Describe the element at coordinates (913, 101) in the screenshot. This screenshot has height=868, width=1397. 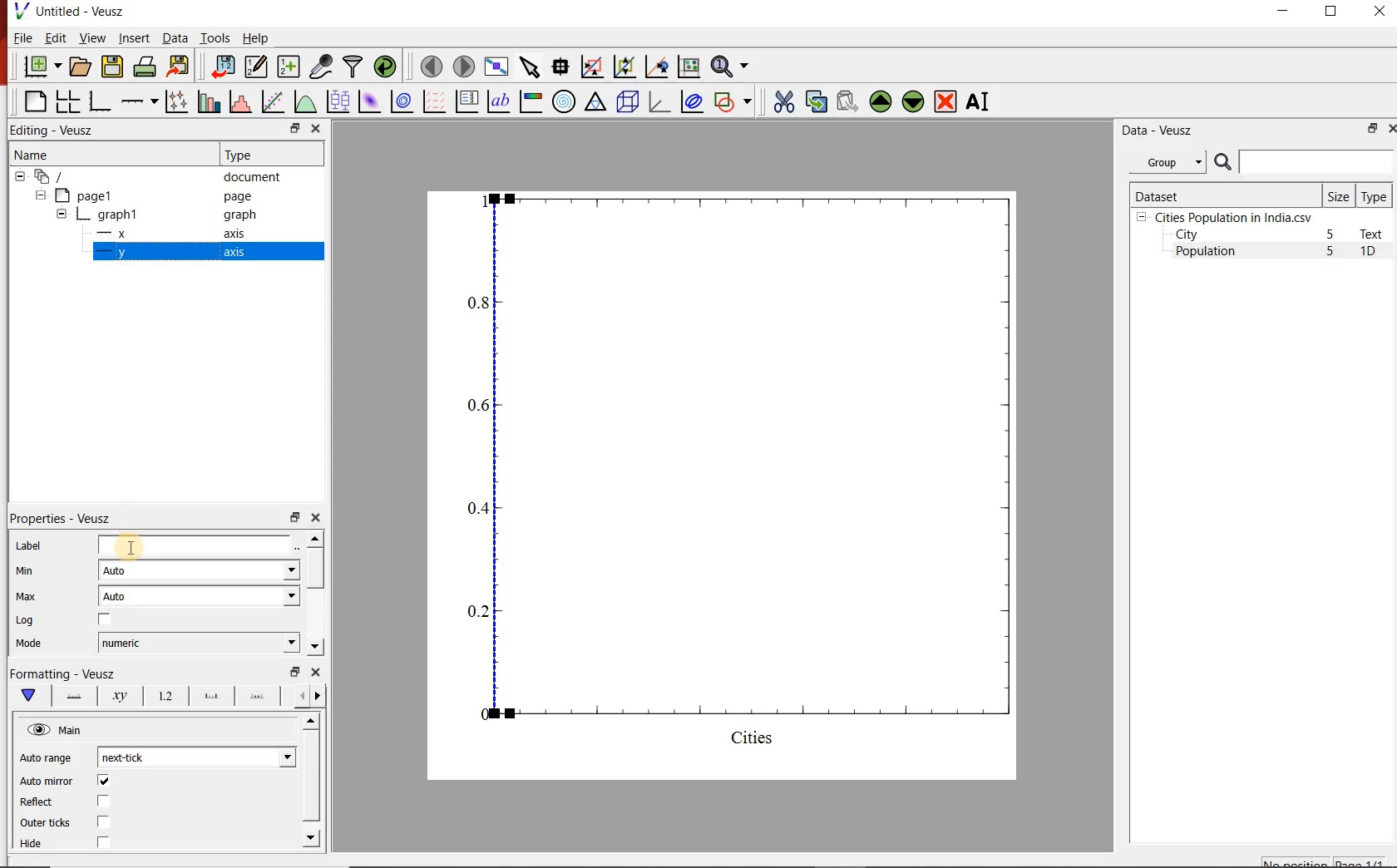
I see `move the selected widget down` at that location.